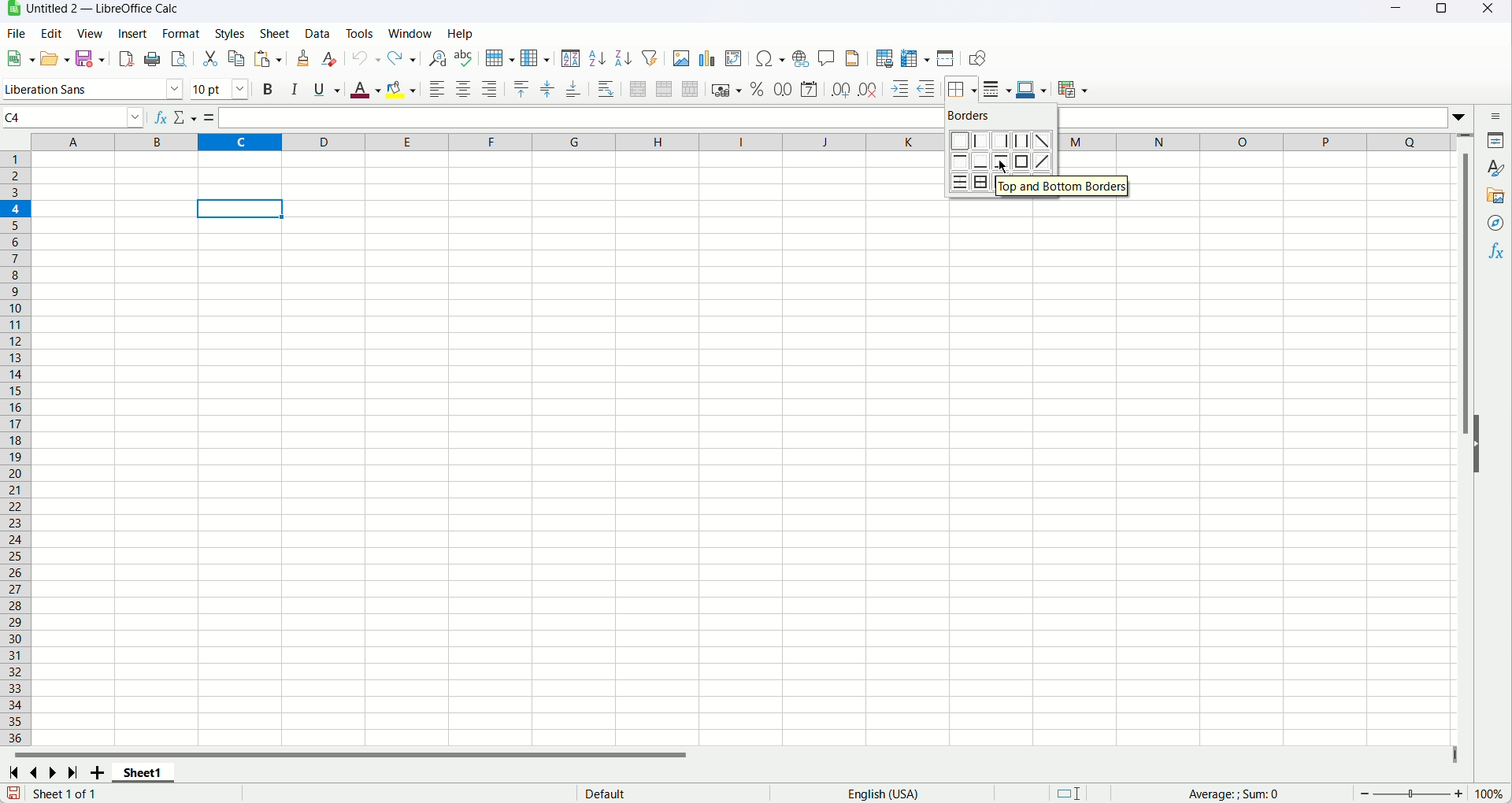  Describe the element at coordinates (1041, 141) in the screenshot. I see `Diagonal down border` at that location.